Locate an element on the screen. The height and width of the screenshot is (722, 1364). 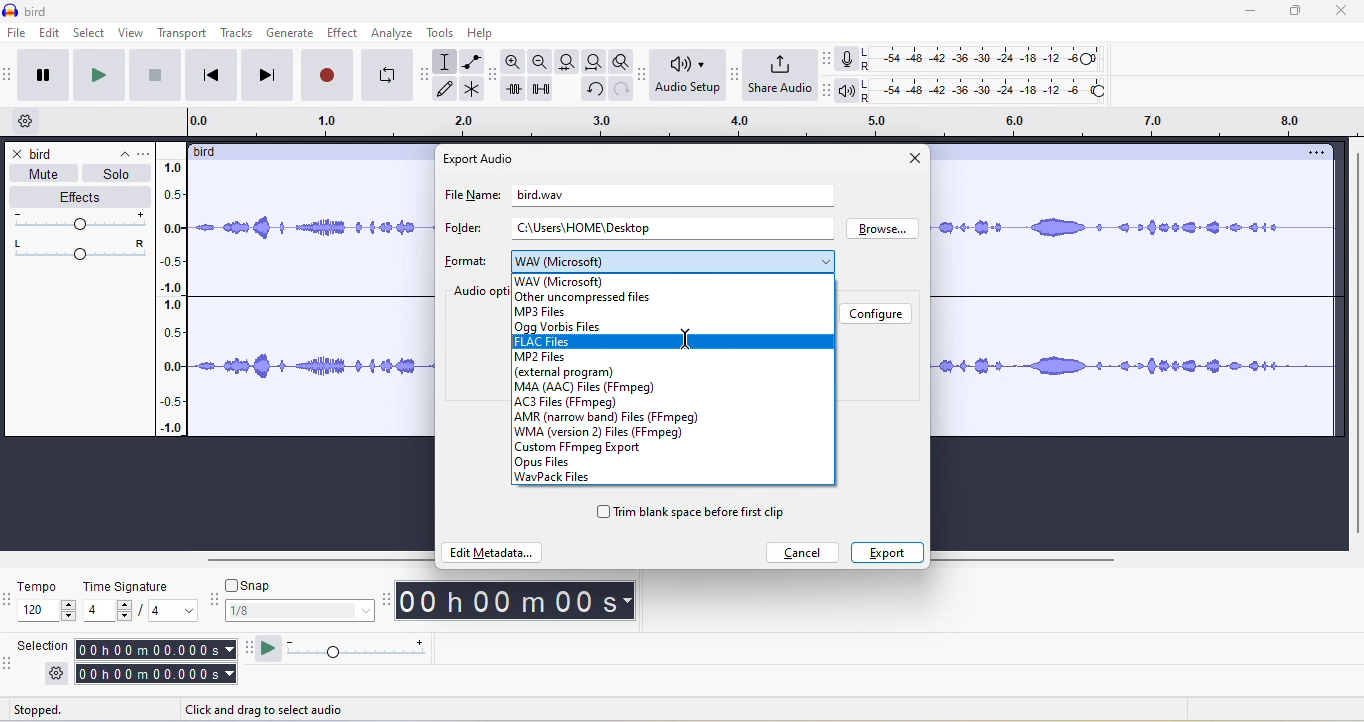
play at speed is located at coordinates (268, 650).